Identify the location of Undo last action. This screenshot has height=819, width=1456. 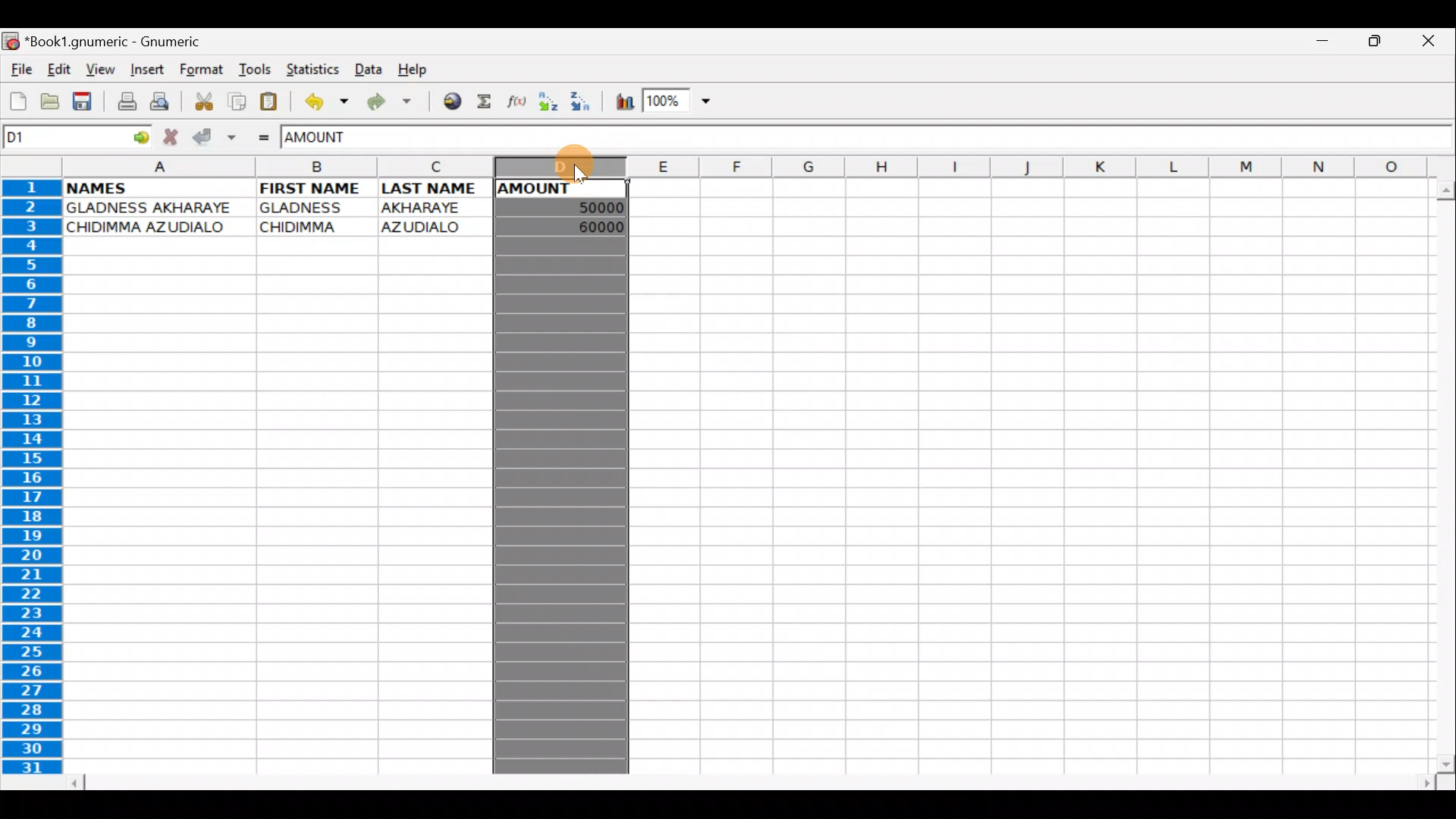
(322, 100).